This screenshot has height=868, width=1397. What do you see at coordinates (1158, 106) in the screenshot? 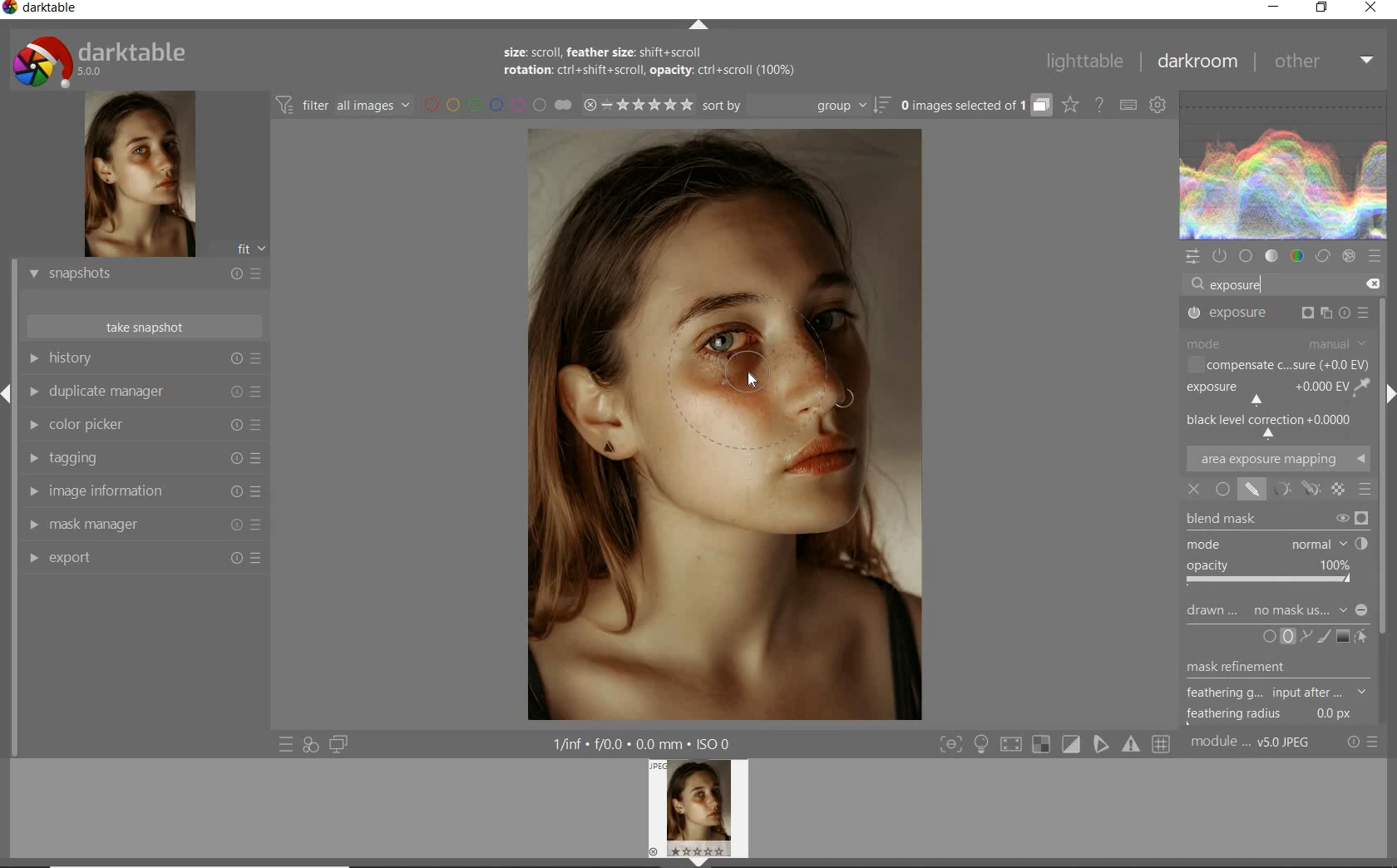
I see `show global preferences` at bounding box center [1158, 106].